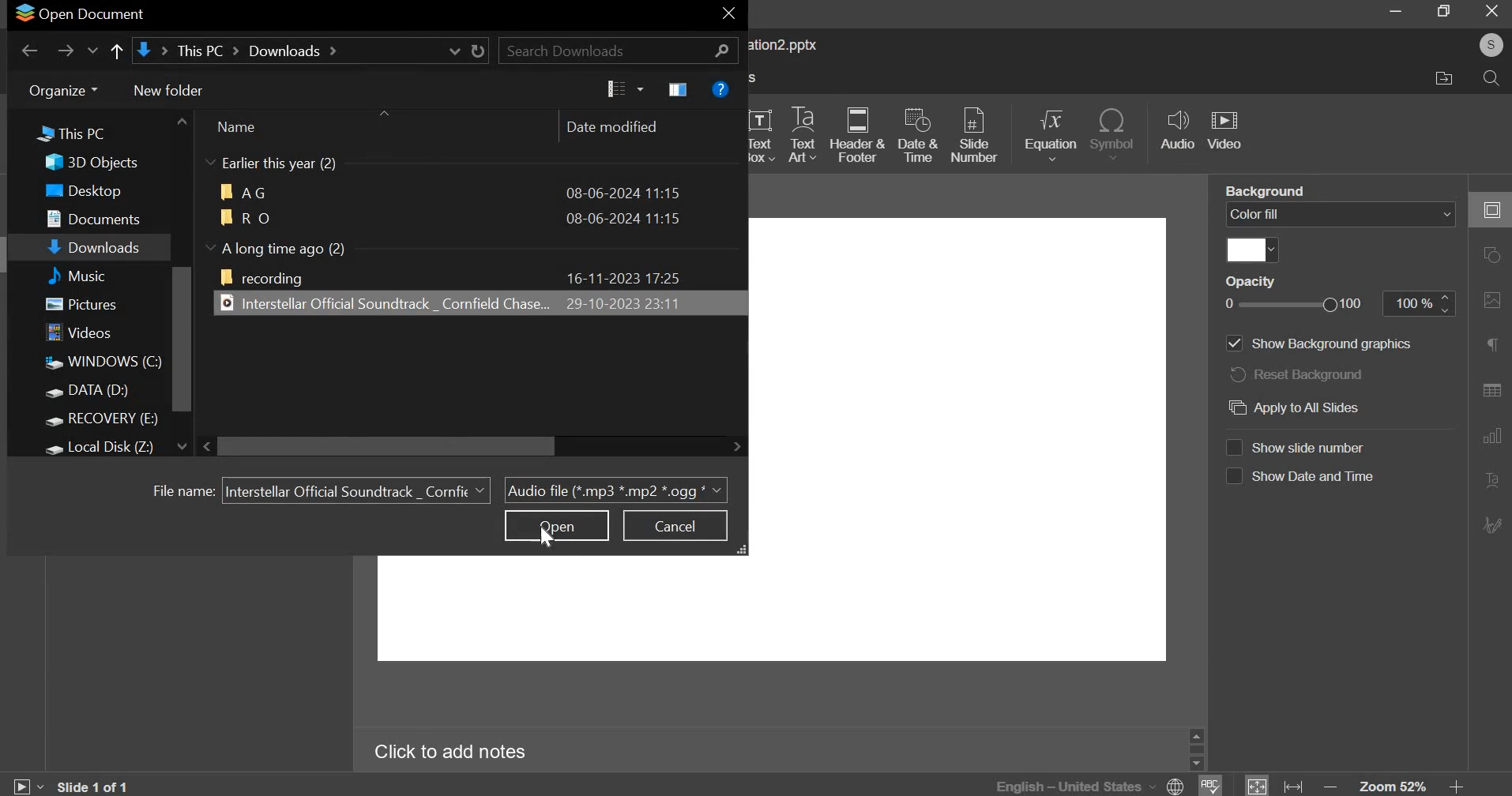 Image resolution: width=1512 pixels, height=796 pixels. What do you see at coordinates (388, 446) in the screenshot?
I see `horizontal scrollbar` at bounding box center [388, 446].